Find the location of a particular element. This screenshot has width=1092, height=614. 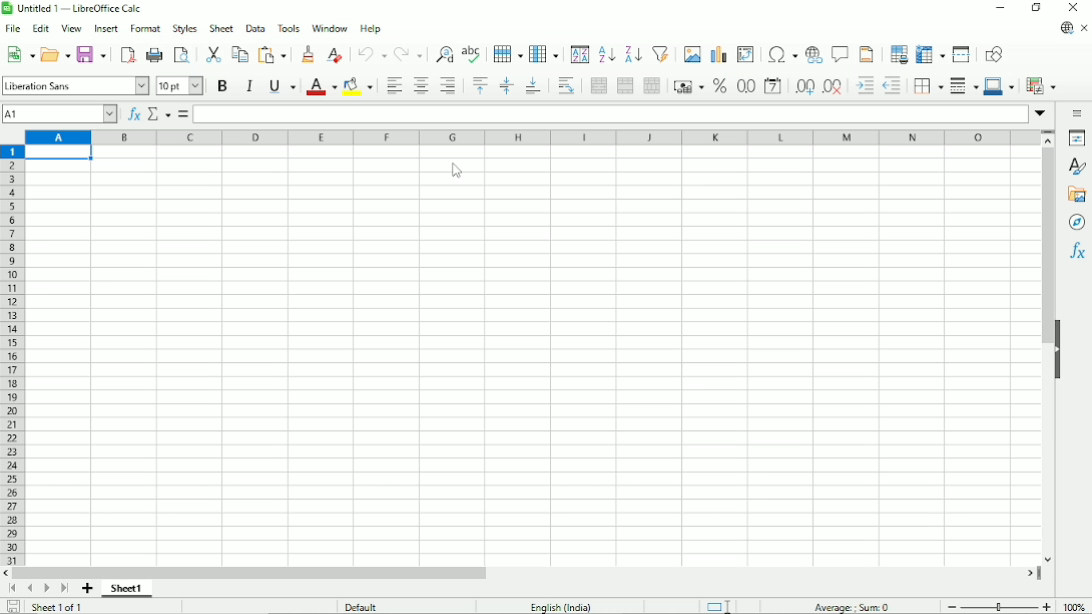

Background color is located at coordinates (358, 86).